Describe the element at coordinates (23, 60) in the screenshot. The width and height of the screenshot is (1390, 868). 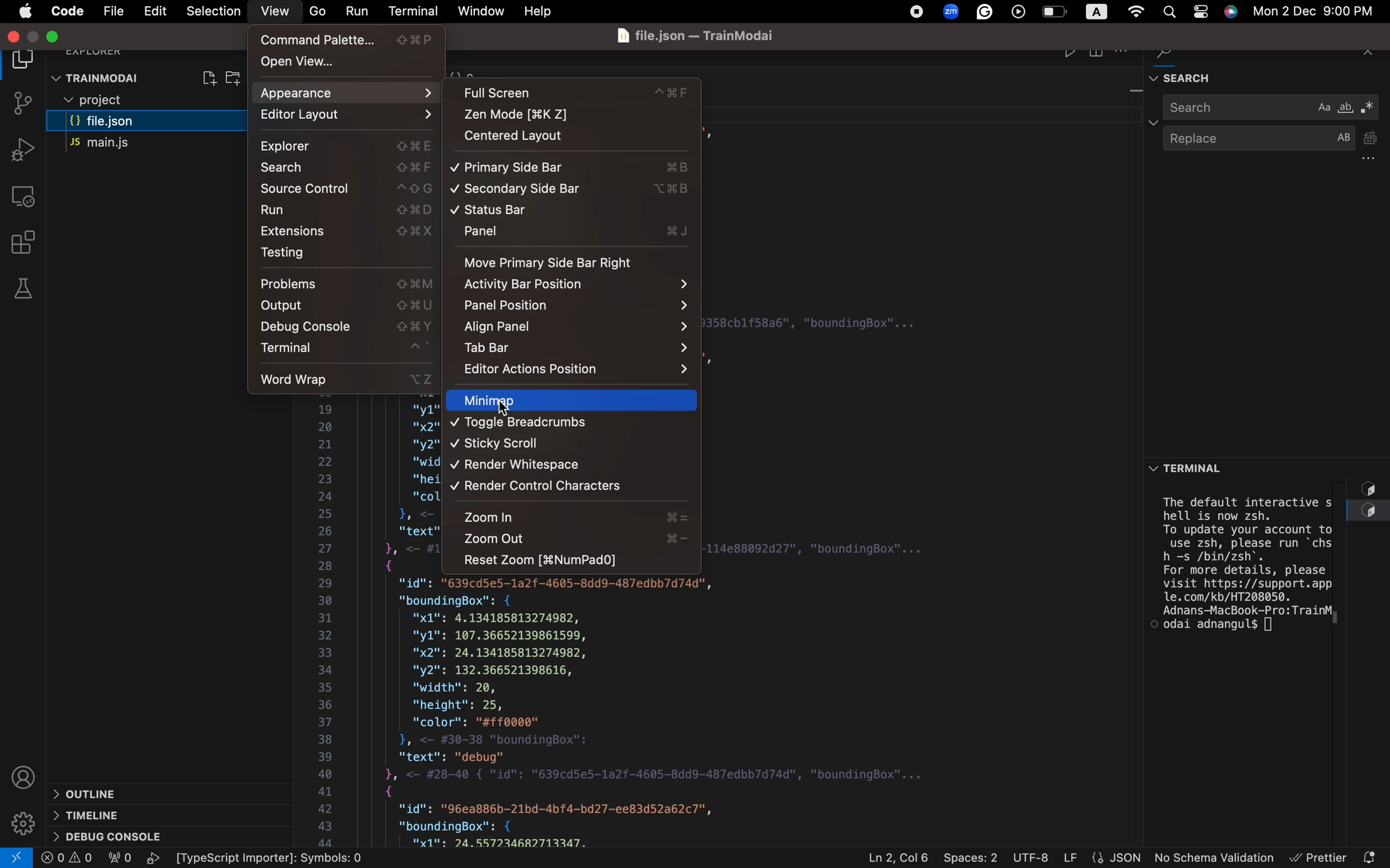
I see `file explorer ` at that location.